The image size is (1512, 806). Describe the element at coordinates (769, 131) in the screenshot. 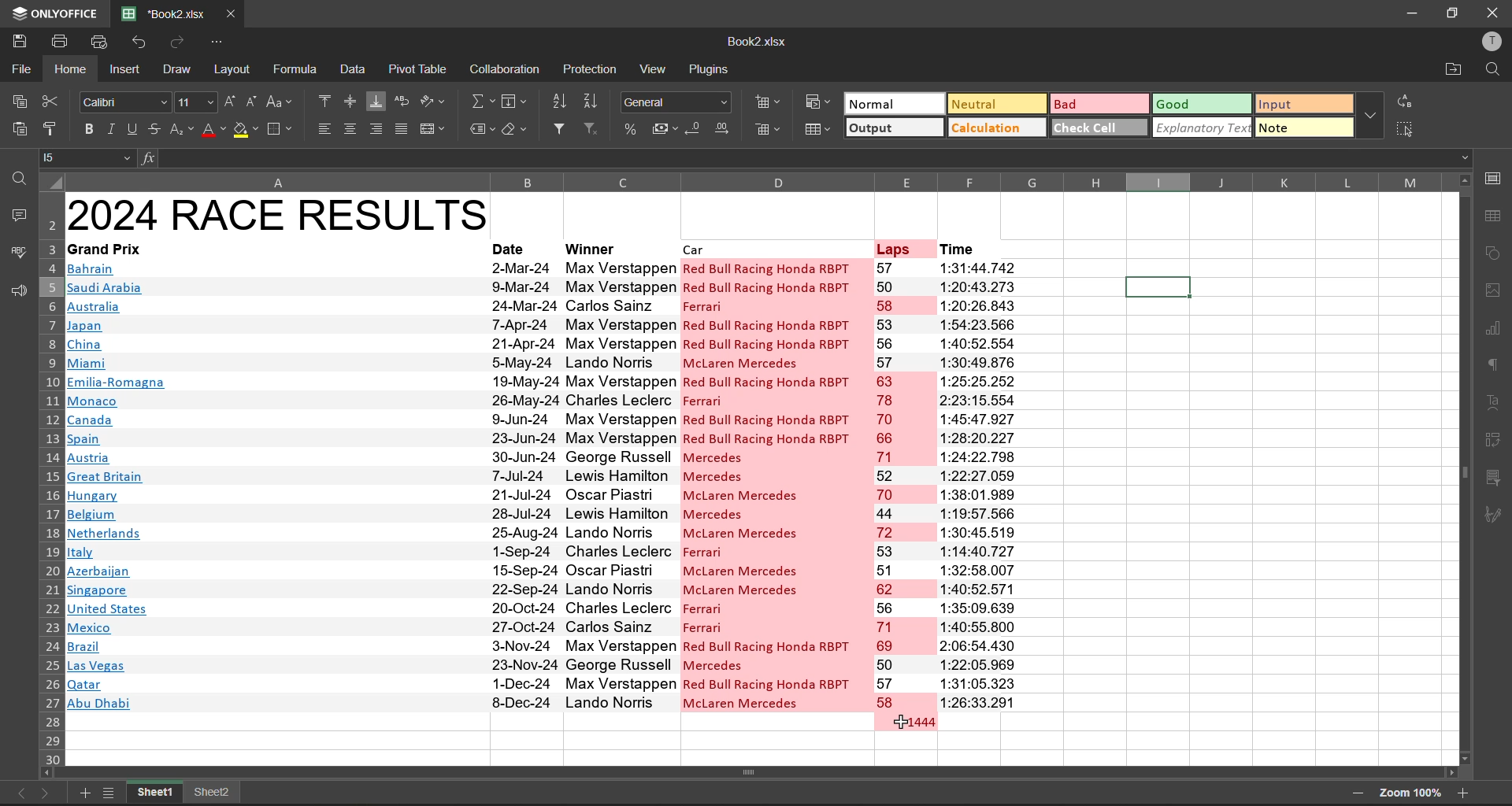

I see `remove cells` at that location.